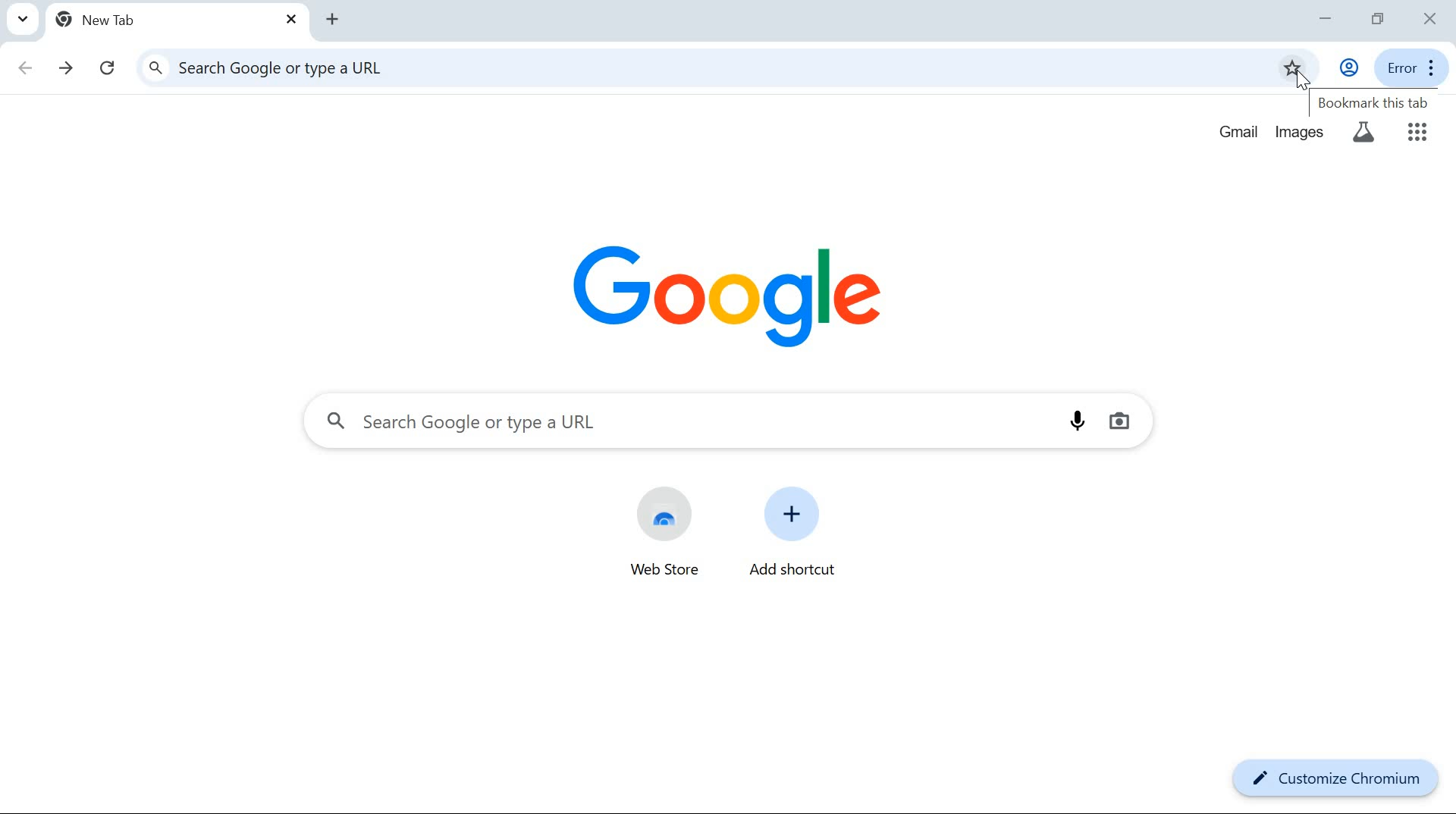 The image size is (1456, 814). I want to click on image search, so click(1119, 421).